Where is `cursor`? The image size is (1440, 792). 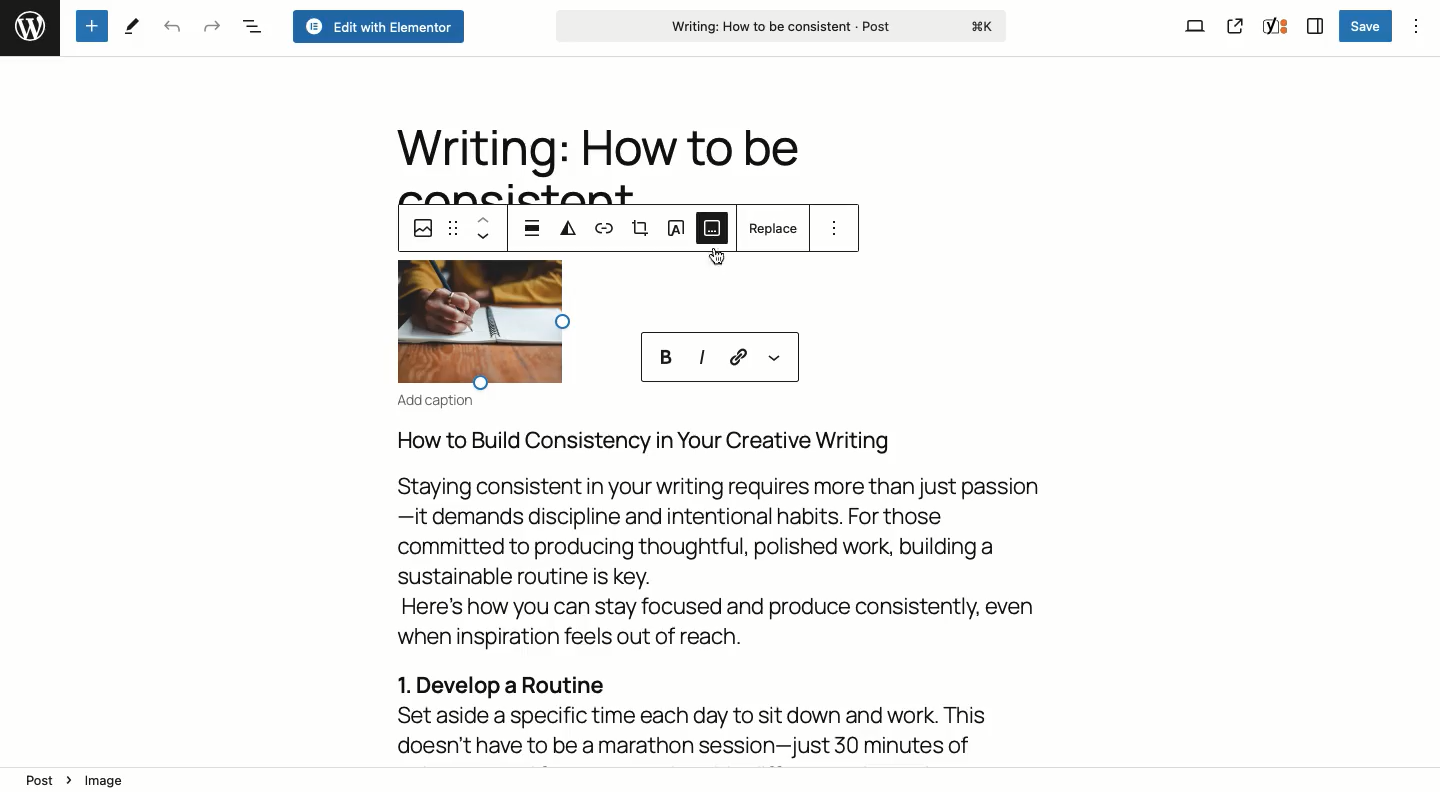 cursor is located at coordinates (714, 260).